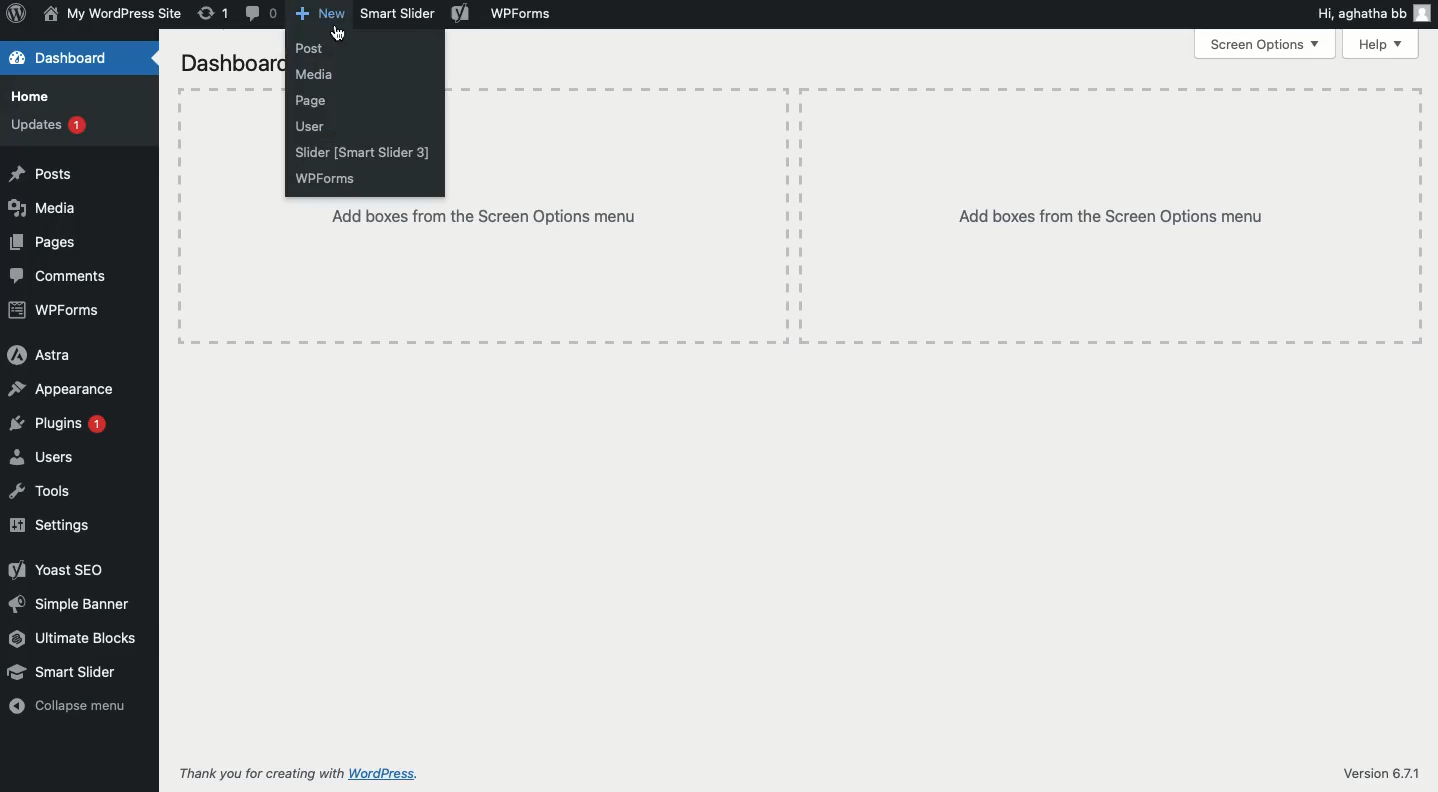 The width and height of the screenshot is (1438, 792). I want to click on Thank you for creating with WordPress, so click(302, 773).